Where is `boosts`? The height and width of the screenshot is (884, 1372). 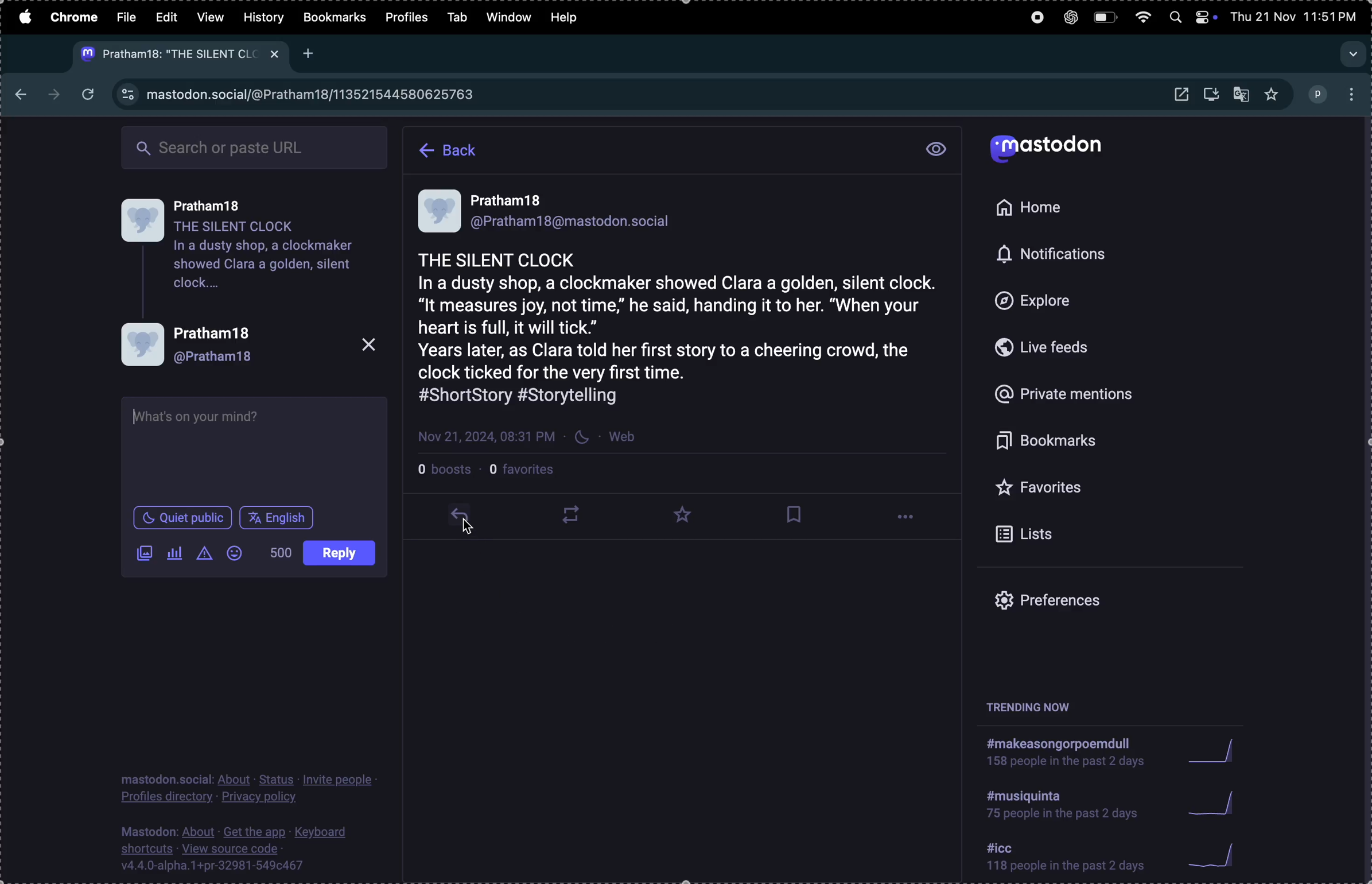 boosts is located at coordinates (446, 472).